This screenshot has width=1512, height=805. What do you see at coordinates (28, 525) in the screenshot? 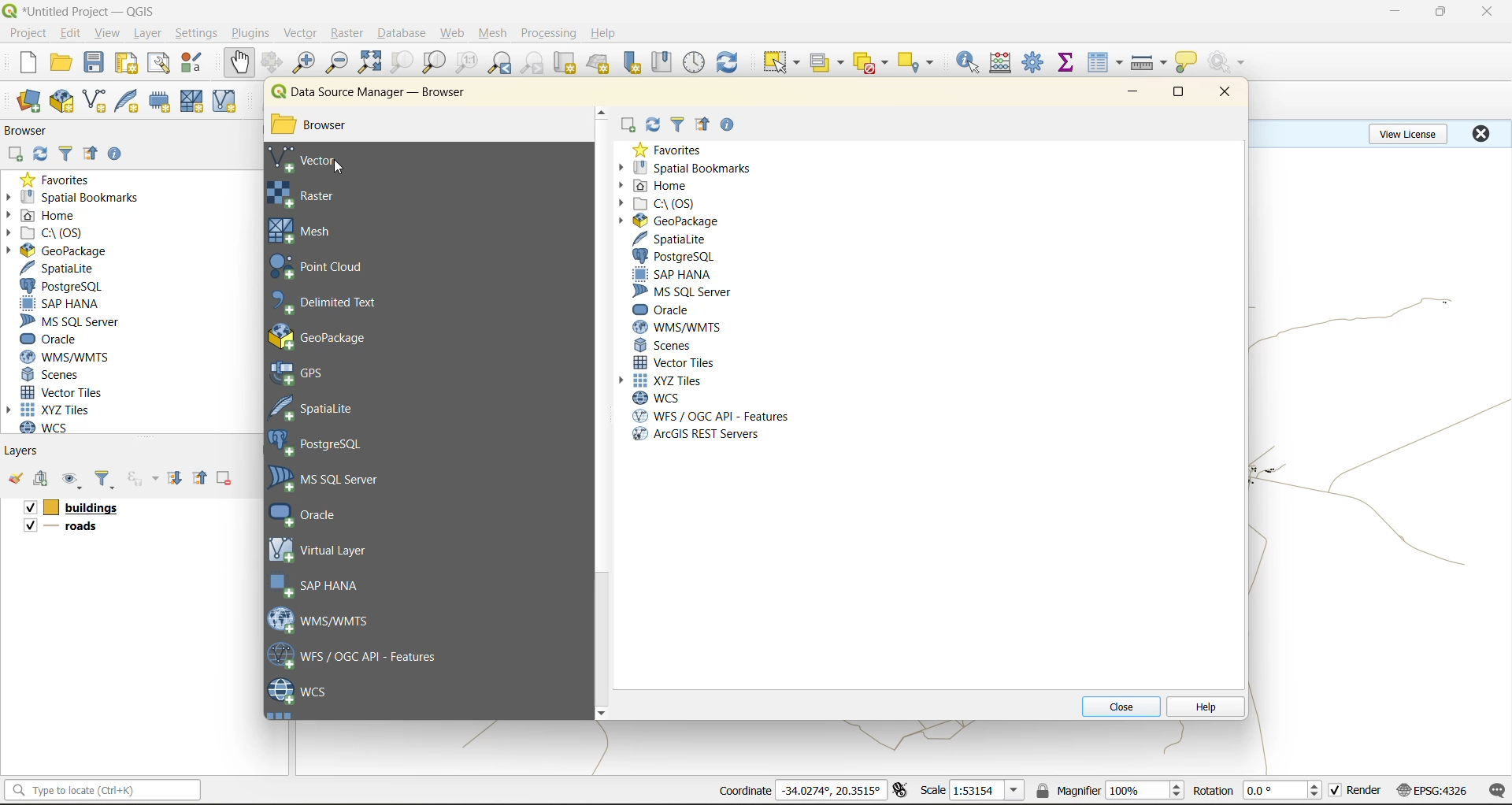
I see `checkbox` at bounding box center [28, 525].